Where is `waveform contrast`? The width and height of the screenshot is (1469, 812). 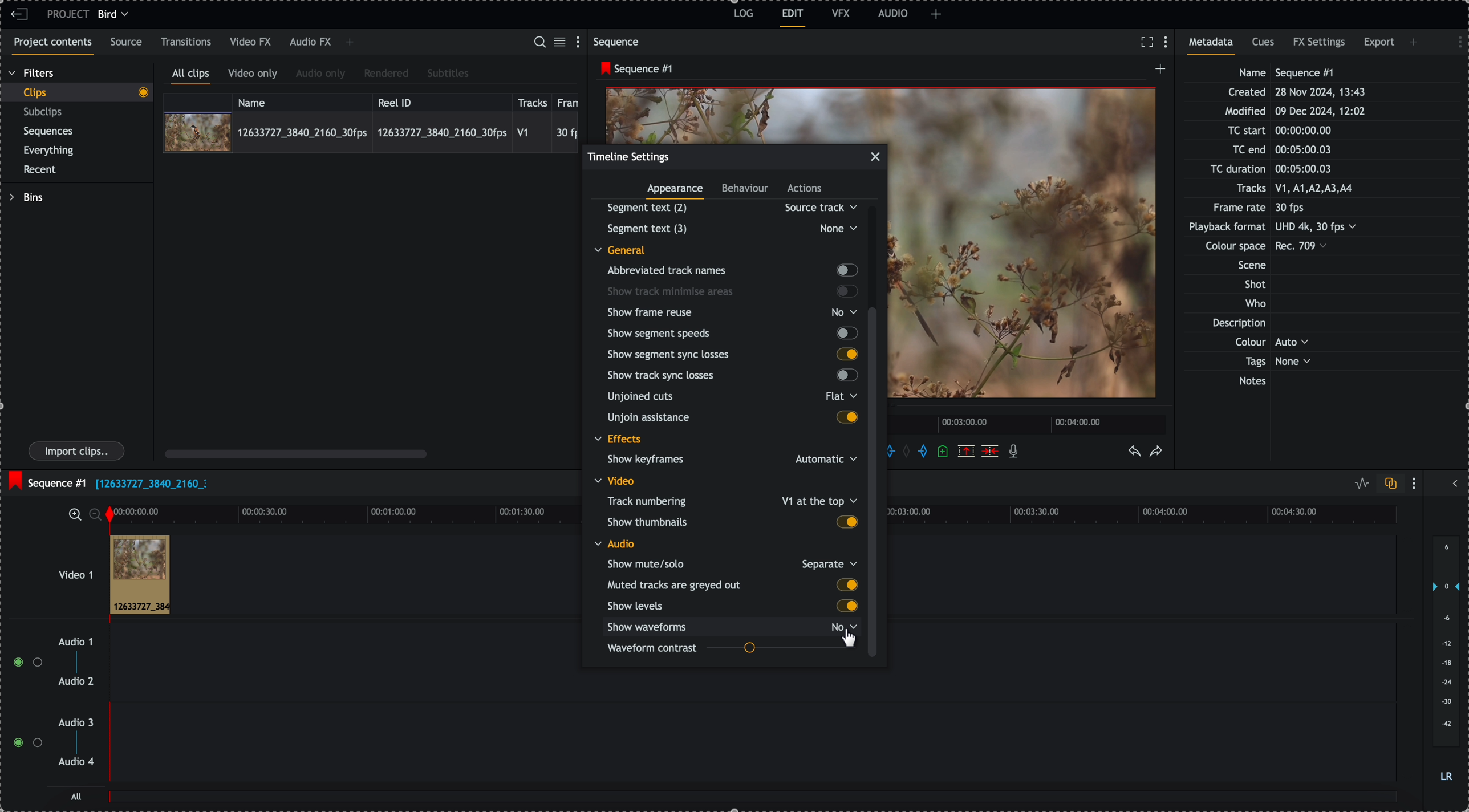
waveform contrast is located at coordinates (732, 649).